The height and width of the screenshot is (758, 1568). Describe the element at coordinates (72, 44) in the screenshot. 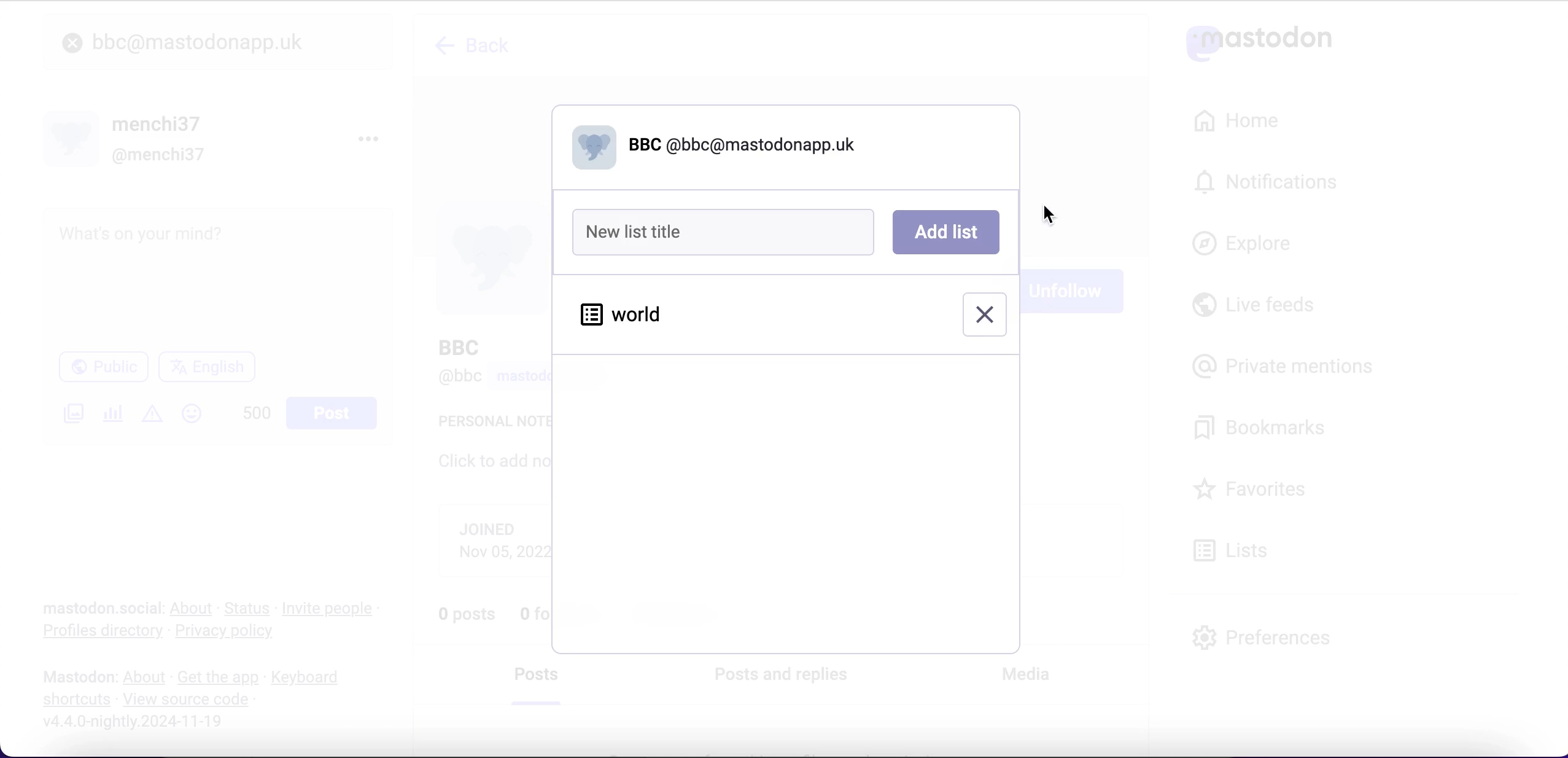

I see `close` at that location.